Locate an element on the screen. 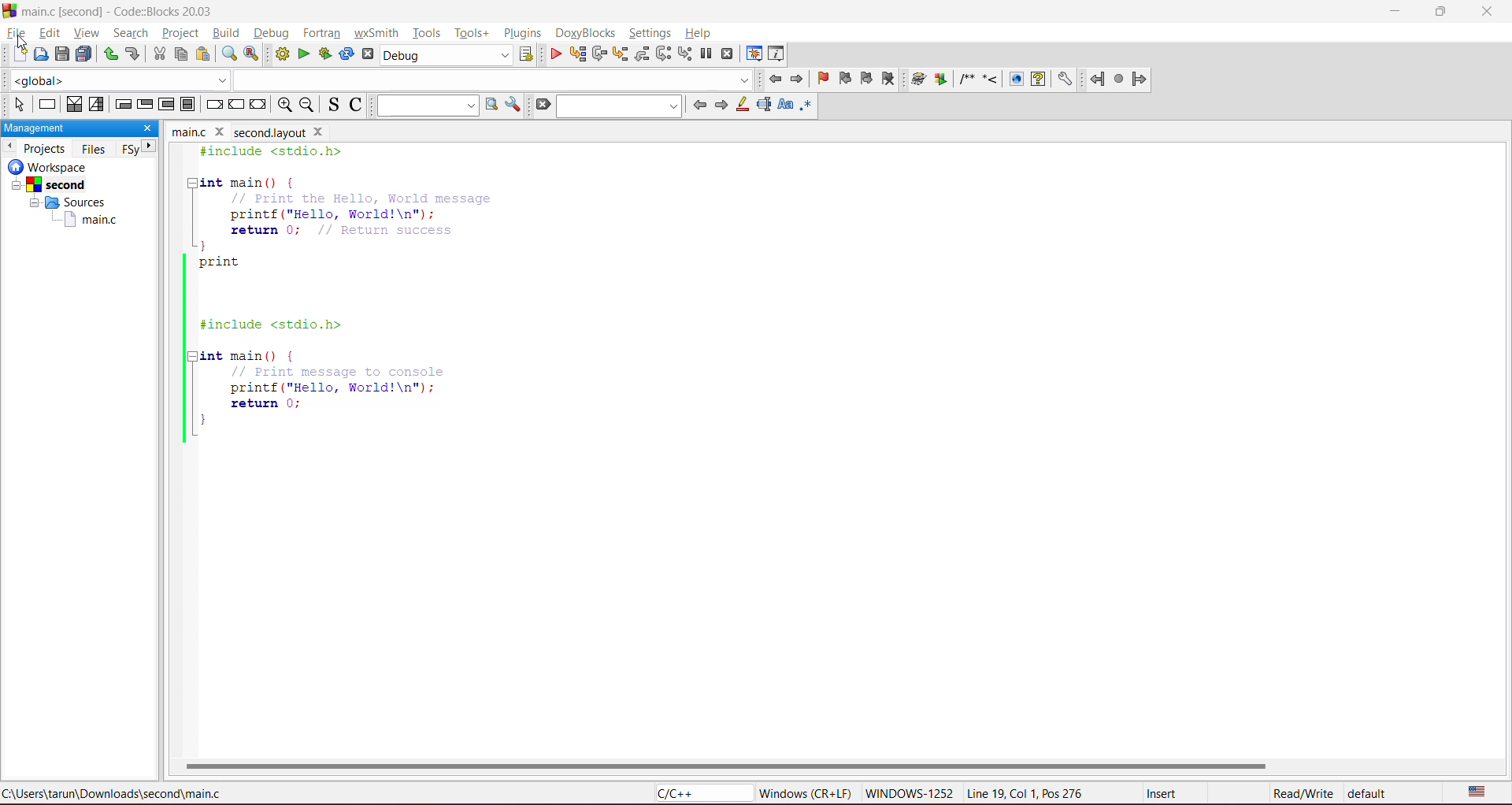 The width and height of the screenshot is (1512, 805). zoom in is located at coordinates (282, 105).